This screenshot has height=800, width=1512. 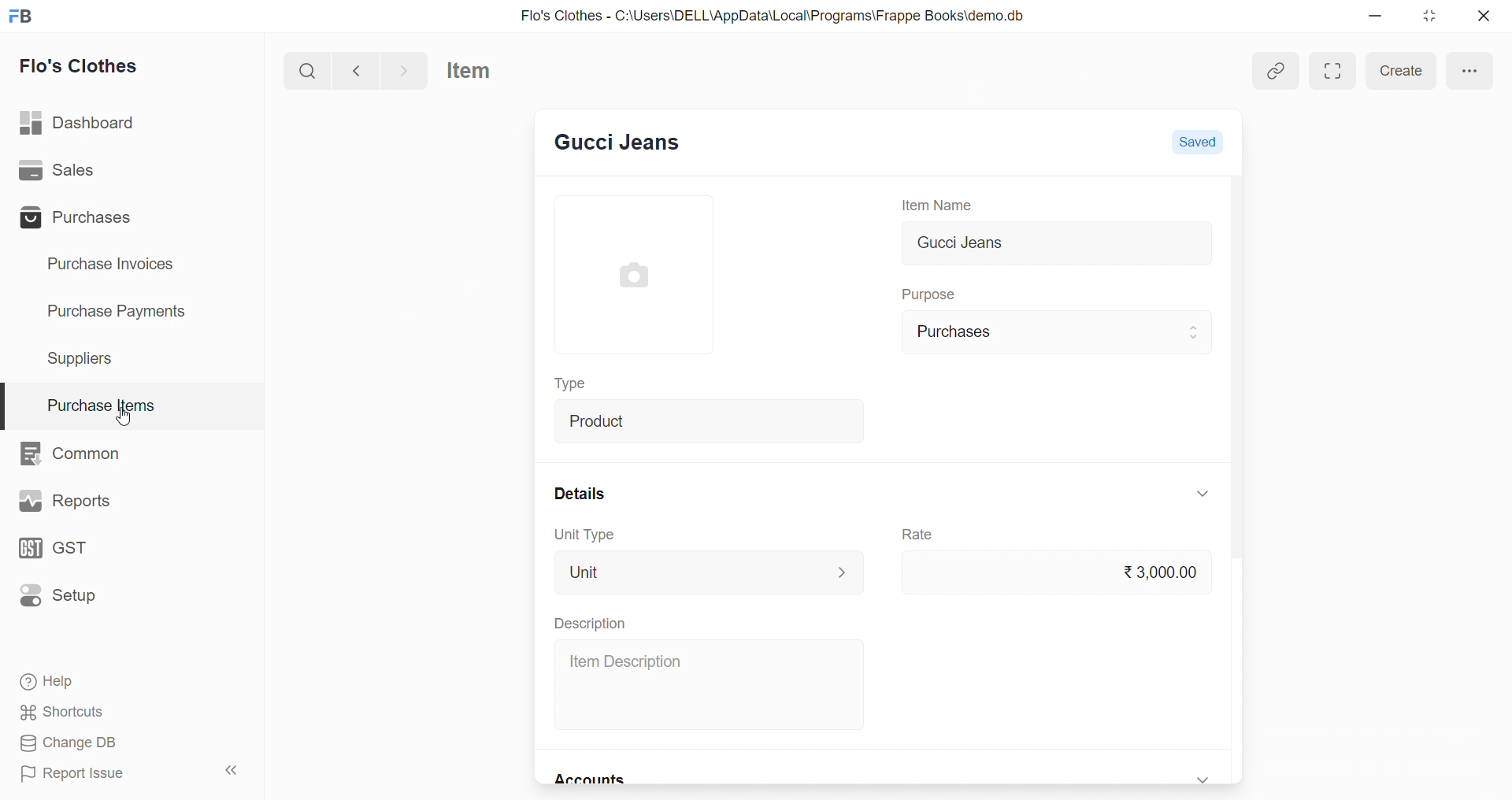 What do you see at coordinates (132, 401) in the screenshot?
I see `Purchase Items` at bounding box center [132, 401].